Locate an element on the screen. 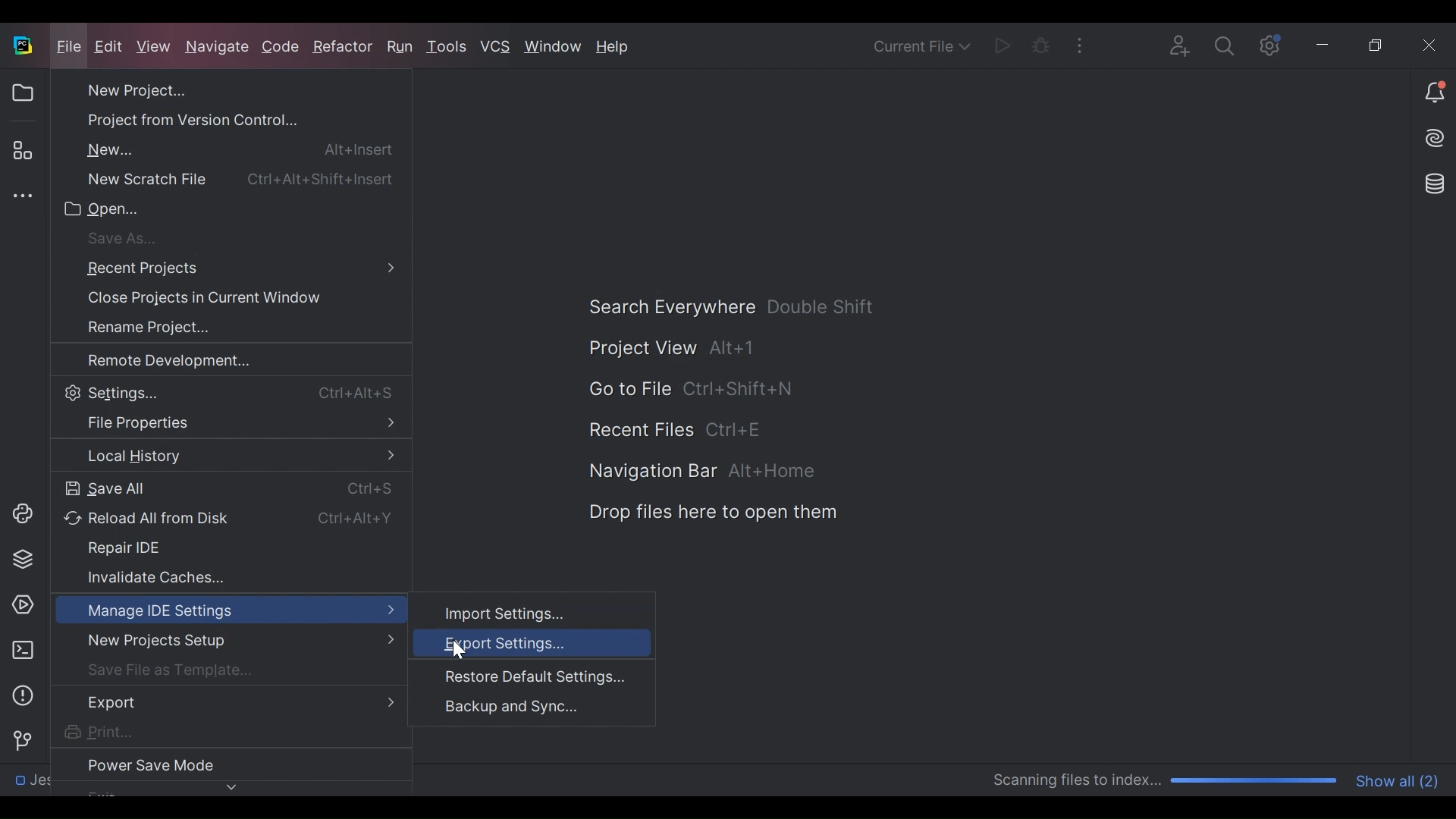  Search Everywhere is located at coordinates (734, 307).